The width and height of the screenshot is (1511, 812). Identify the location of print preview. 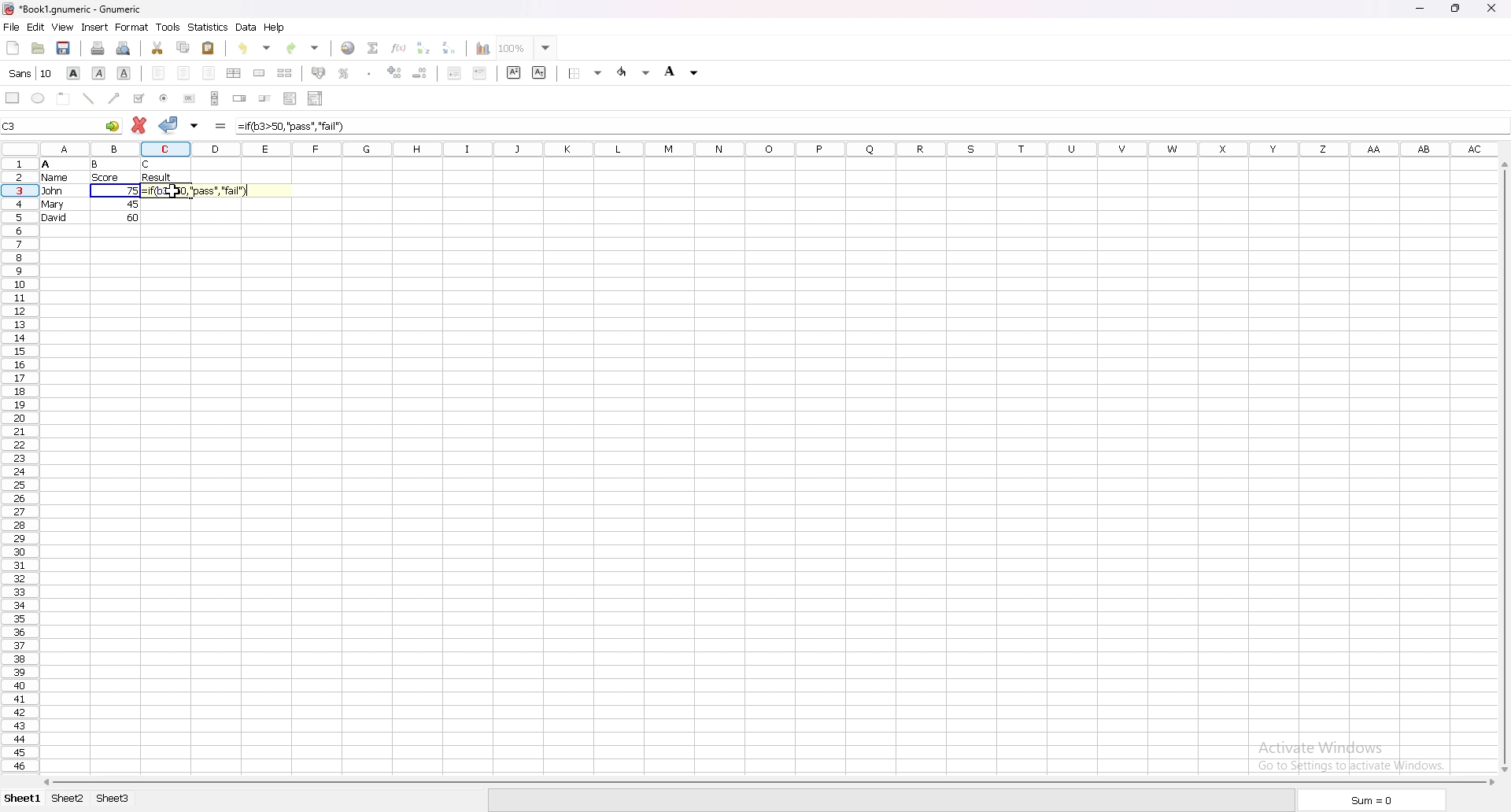
(123, 49).